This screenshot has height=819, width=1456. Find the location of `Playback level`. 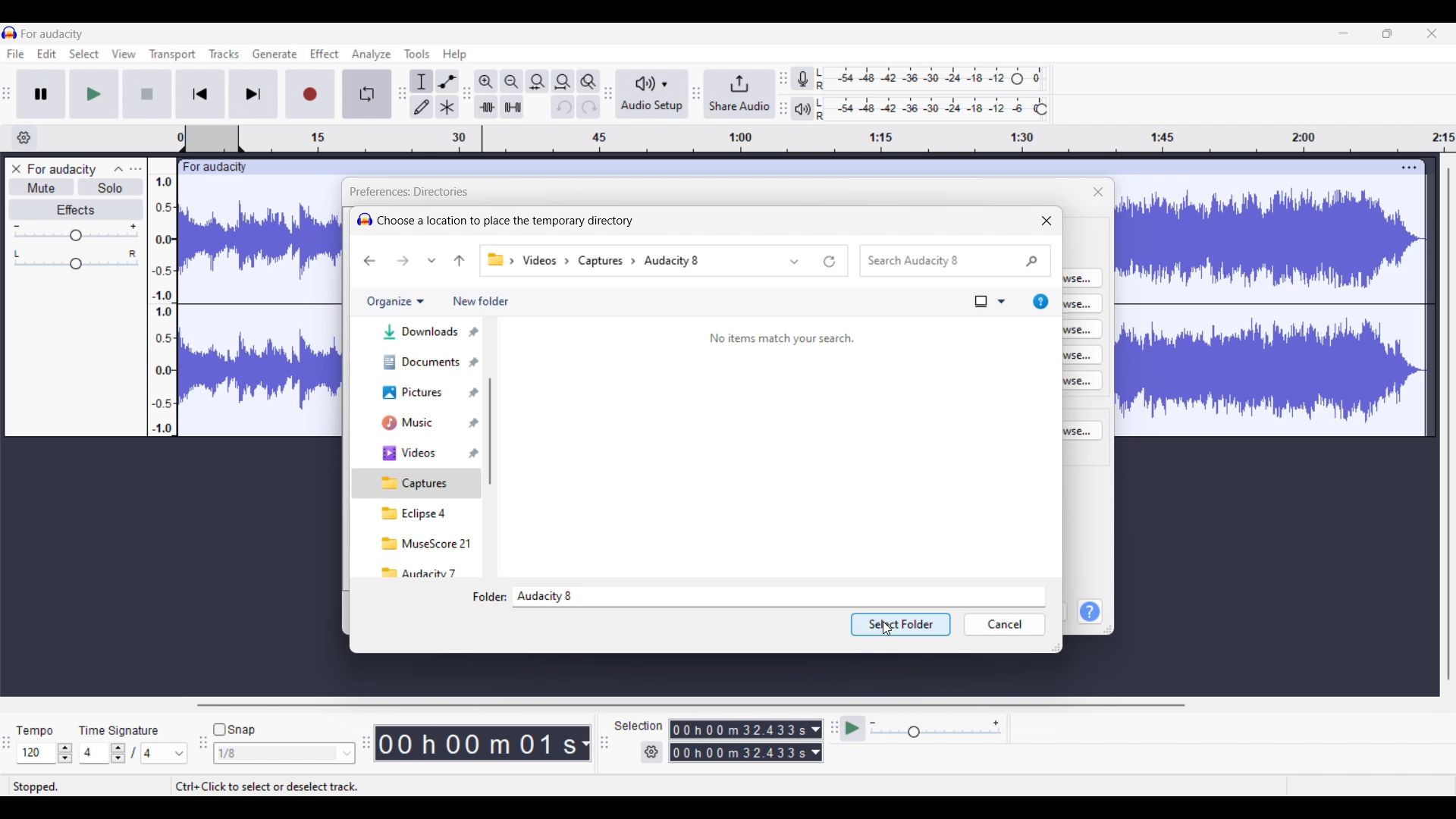

Playback level is located at coordinates (924, 109).